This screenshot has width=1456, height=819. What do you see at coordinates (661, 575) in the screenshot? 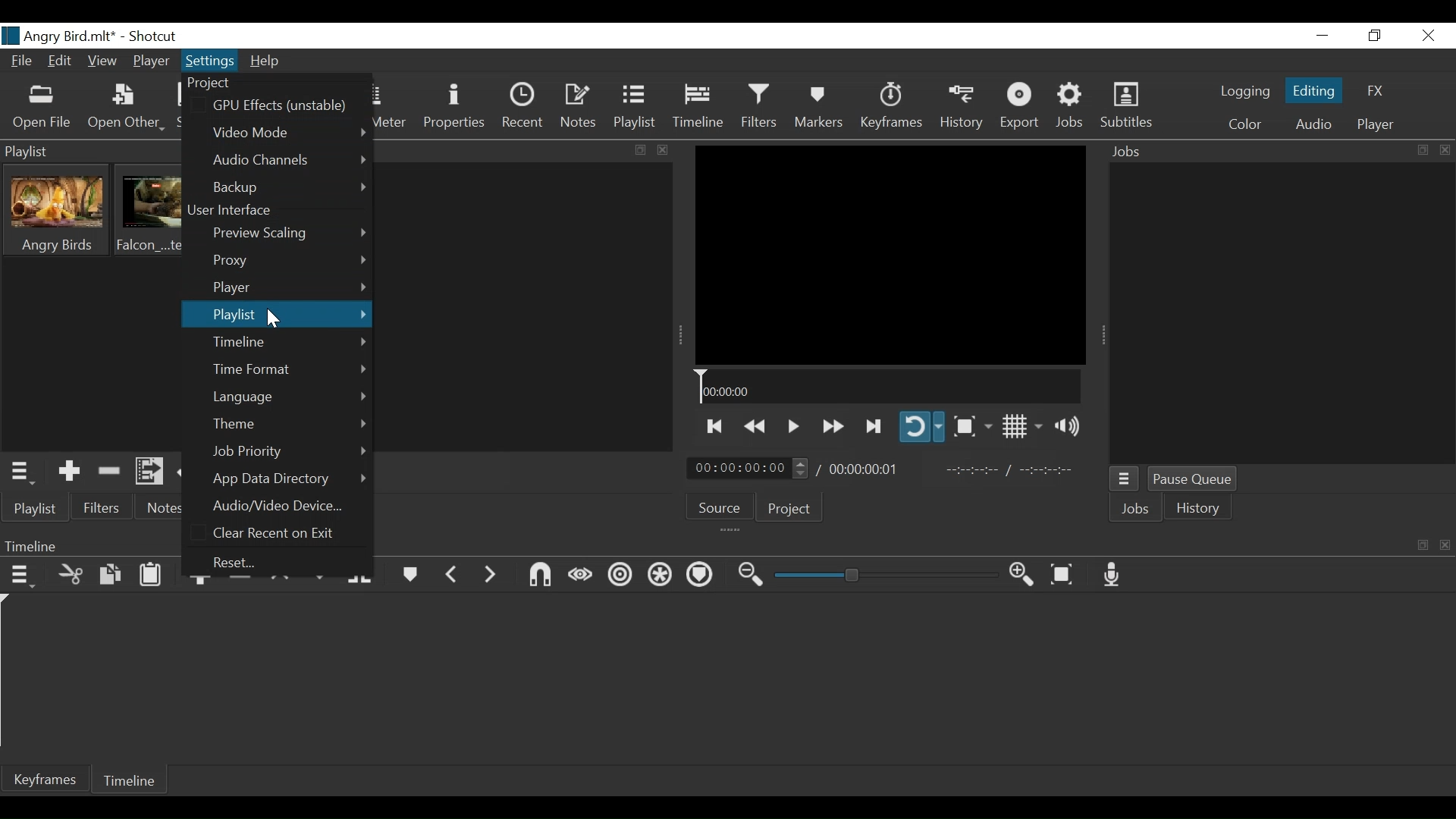
I see `Ripple all tracks` at bounding box center [661, 575].